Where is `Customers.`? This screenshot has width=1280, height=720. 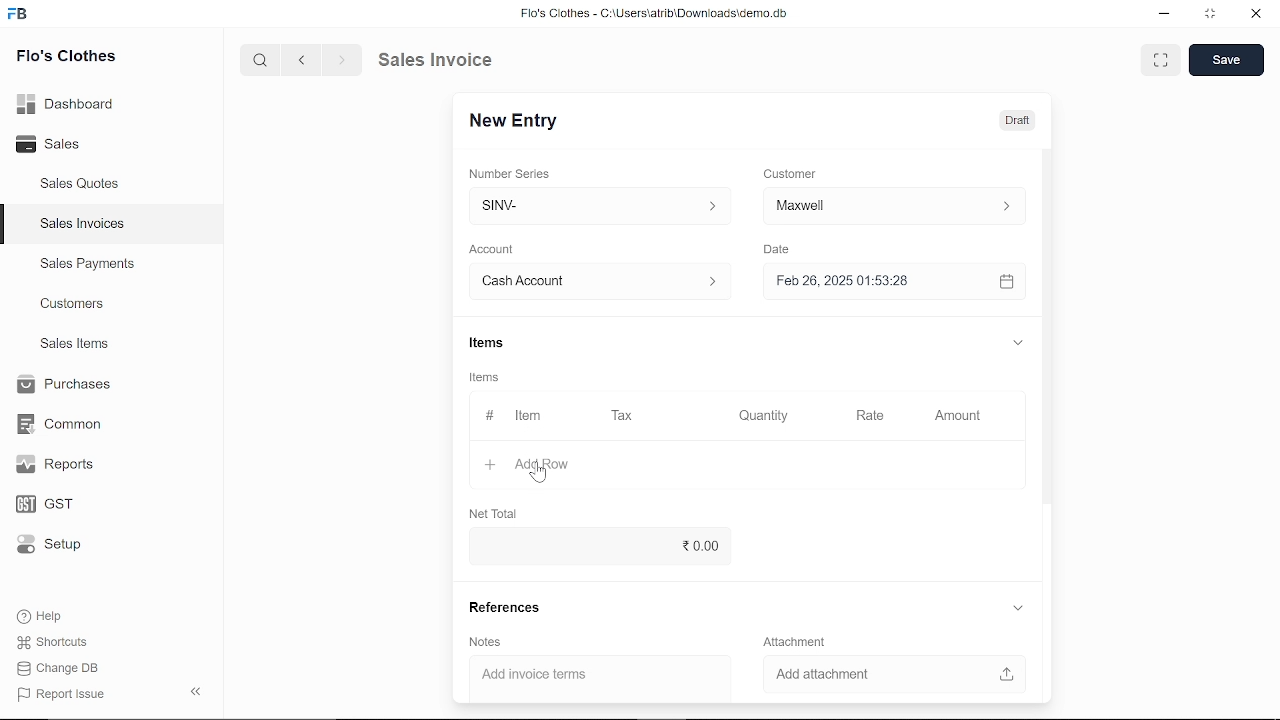
Customers. is located at coordinates (73, 304).